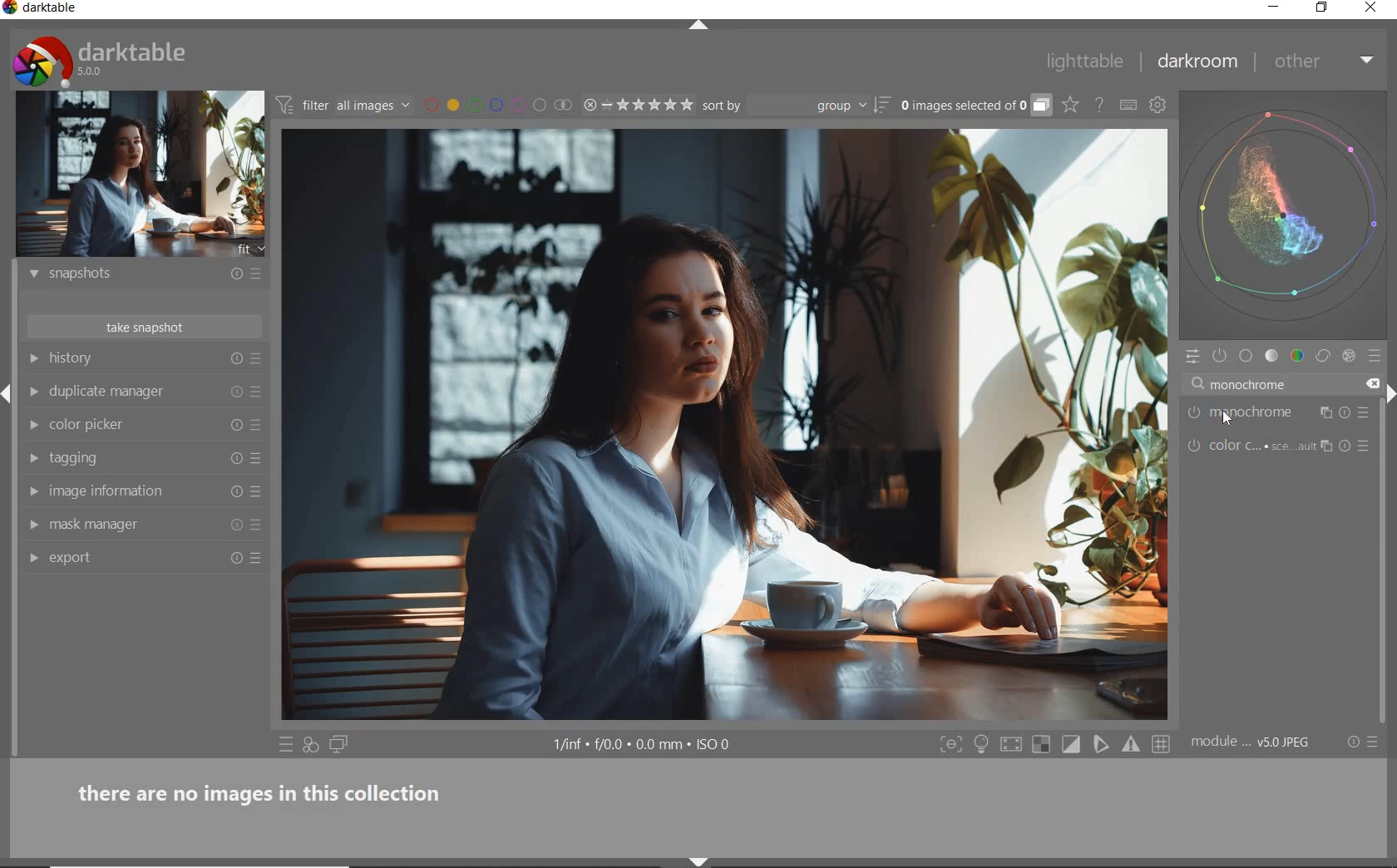  What do you see at coordinates (1247, 383) in the screenshot?
I see `input value` at bounding box center [1247, 383].